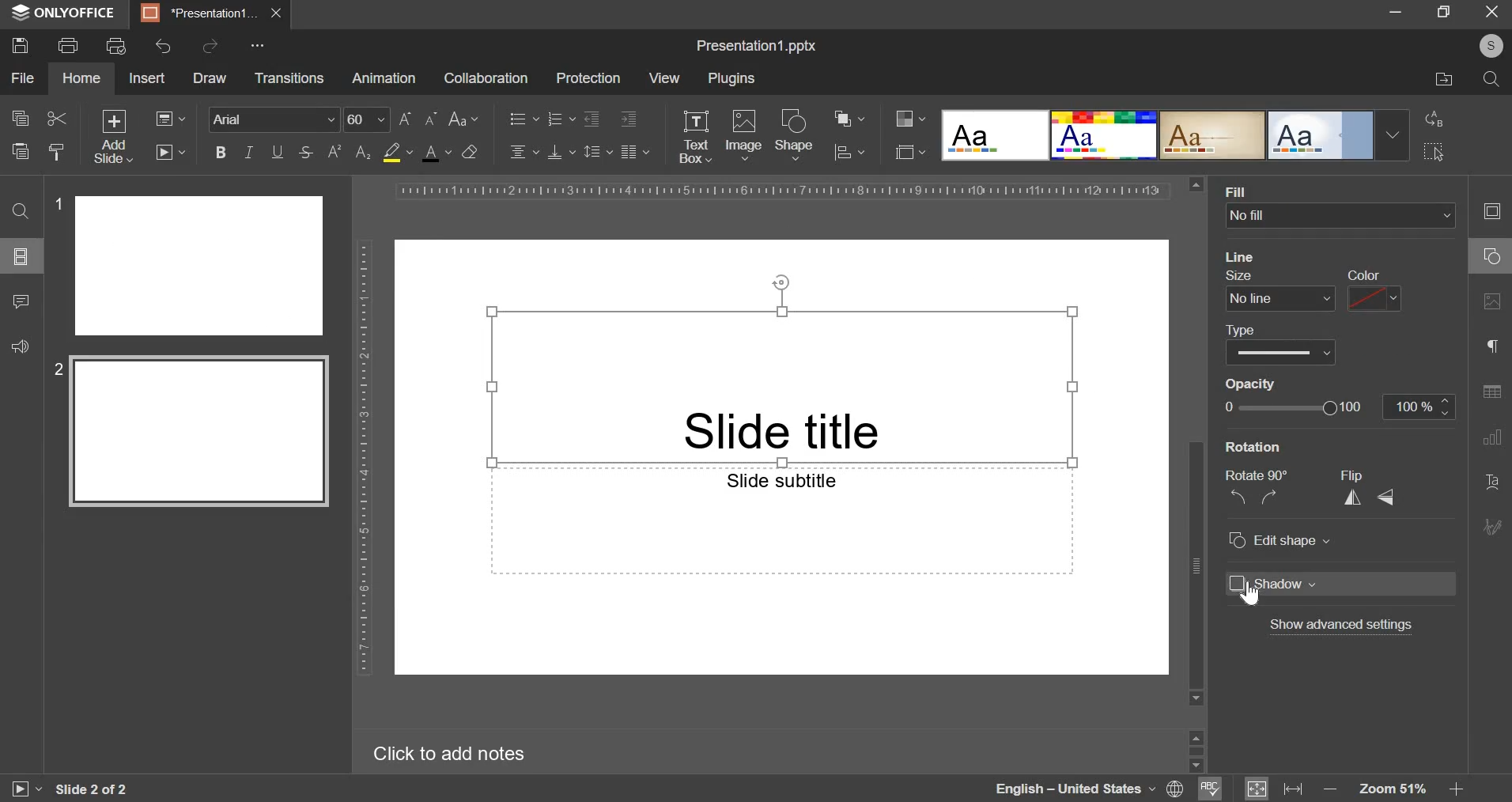 Image resolution: width=1512 pixels, height=802 pixels. I want to click on comment, so click(20, 299).